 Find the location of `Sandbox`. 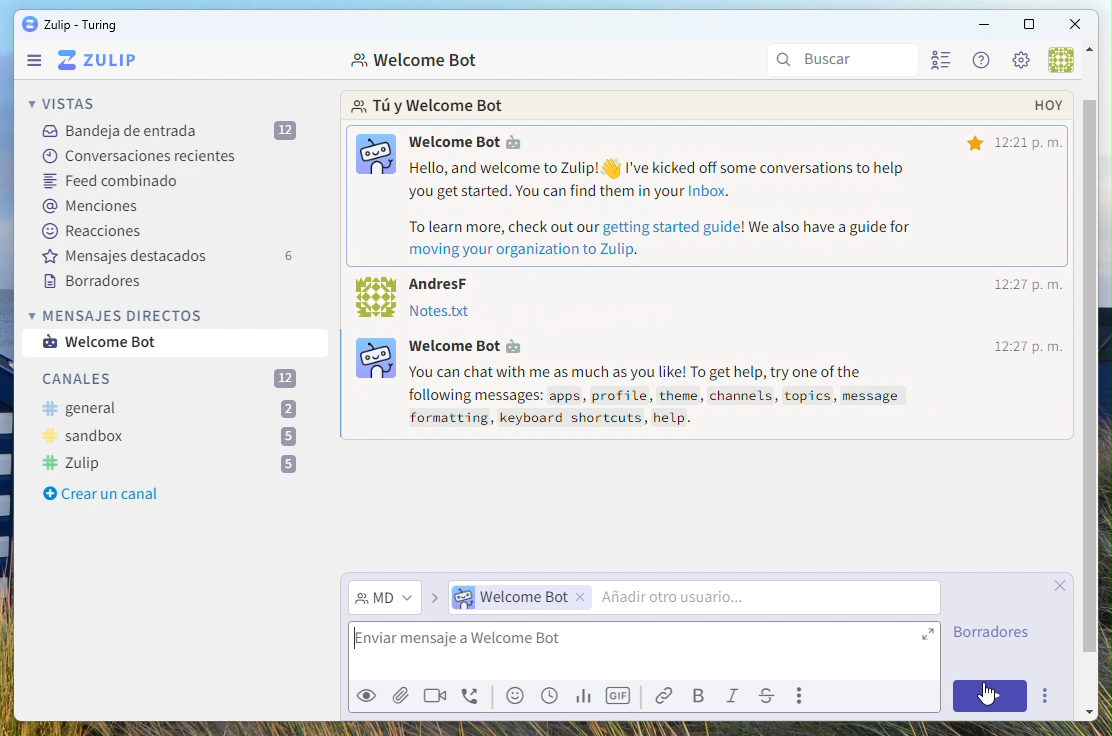

Sandbox is located at coordinates (171, 437).